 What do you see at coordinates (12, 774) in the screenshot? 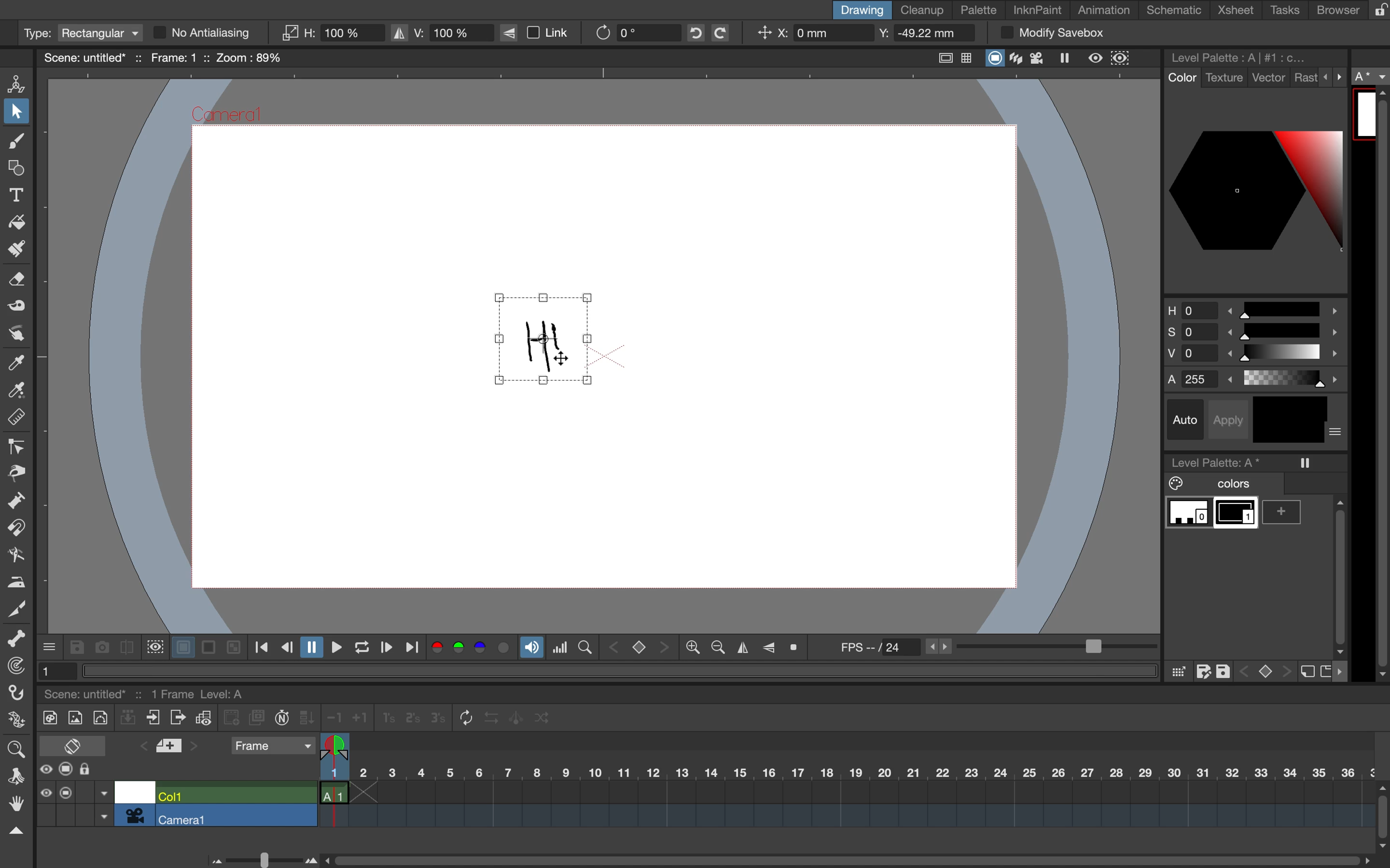
I see `rotate tool` at bounding box center [12, 774].